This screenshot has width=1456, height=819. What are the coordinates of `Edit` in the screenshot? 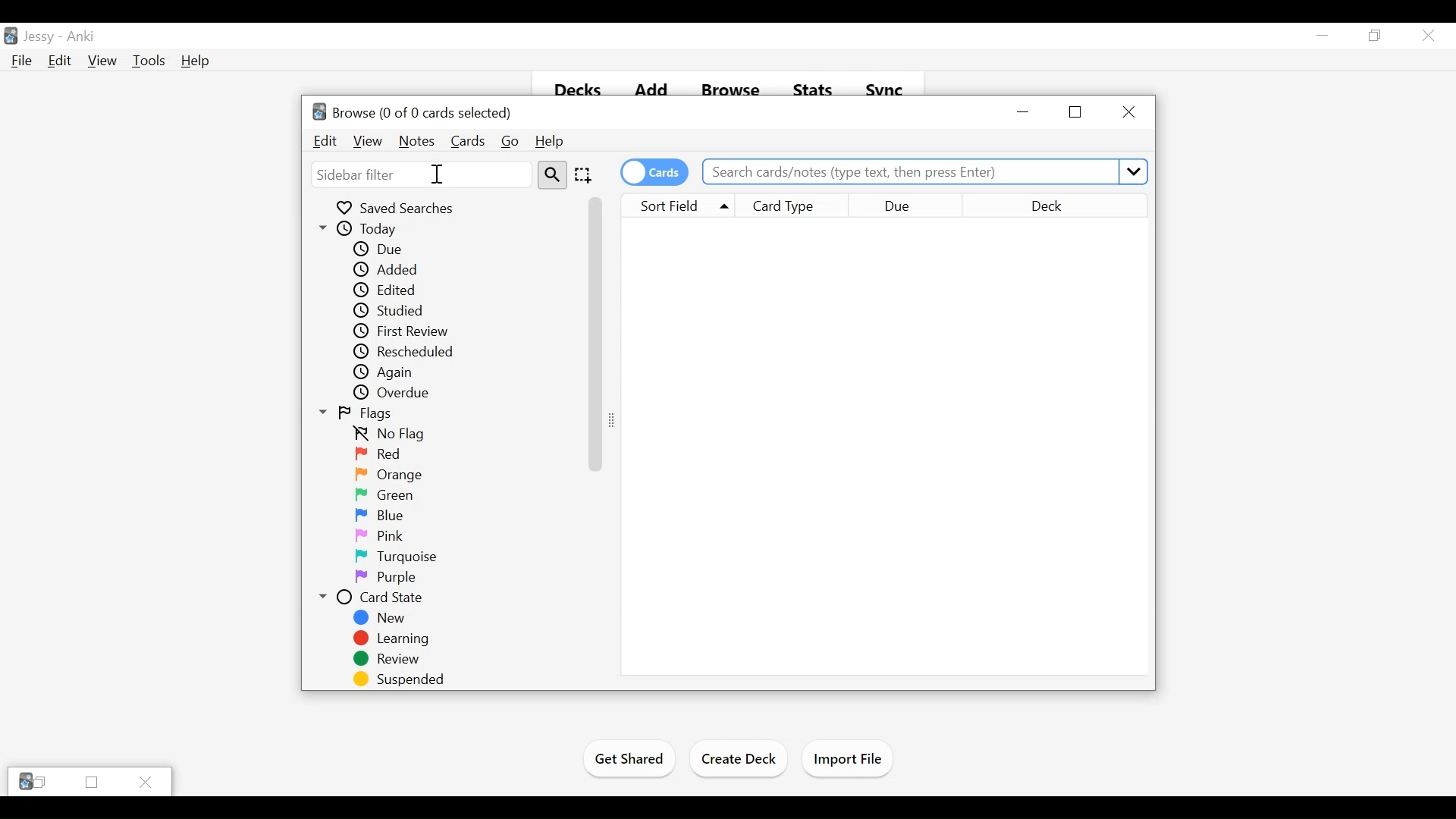 It's located at (58, 61).